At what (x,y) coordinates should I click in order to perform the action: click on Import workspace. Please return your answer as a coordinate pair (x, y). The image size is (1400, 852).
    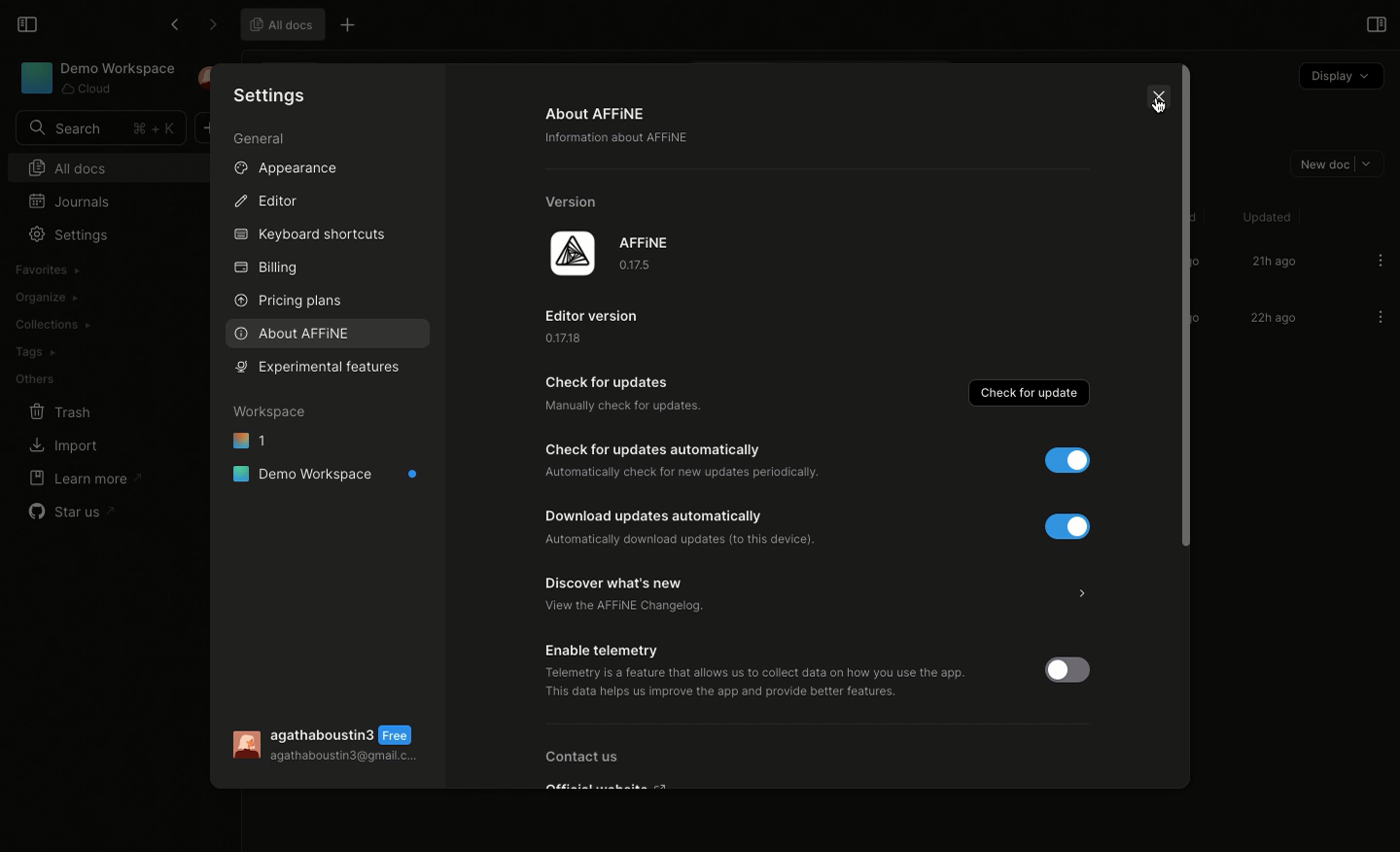
    Looking at the image, I should click on (91, 268).